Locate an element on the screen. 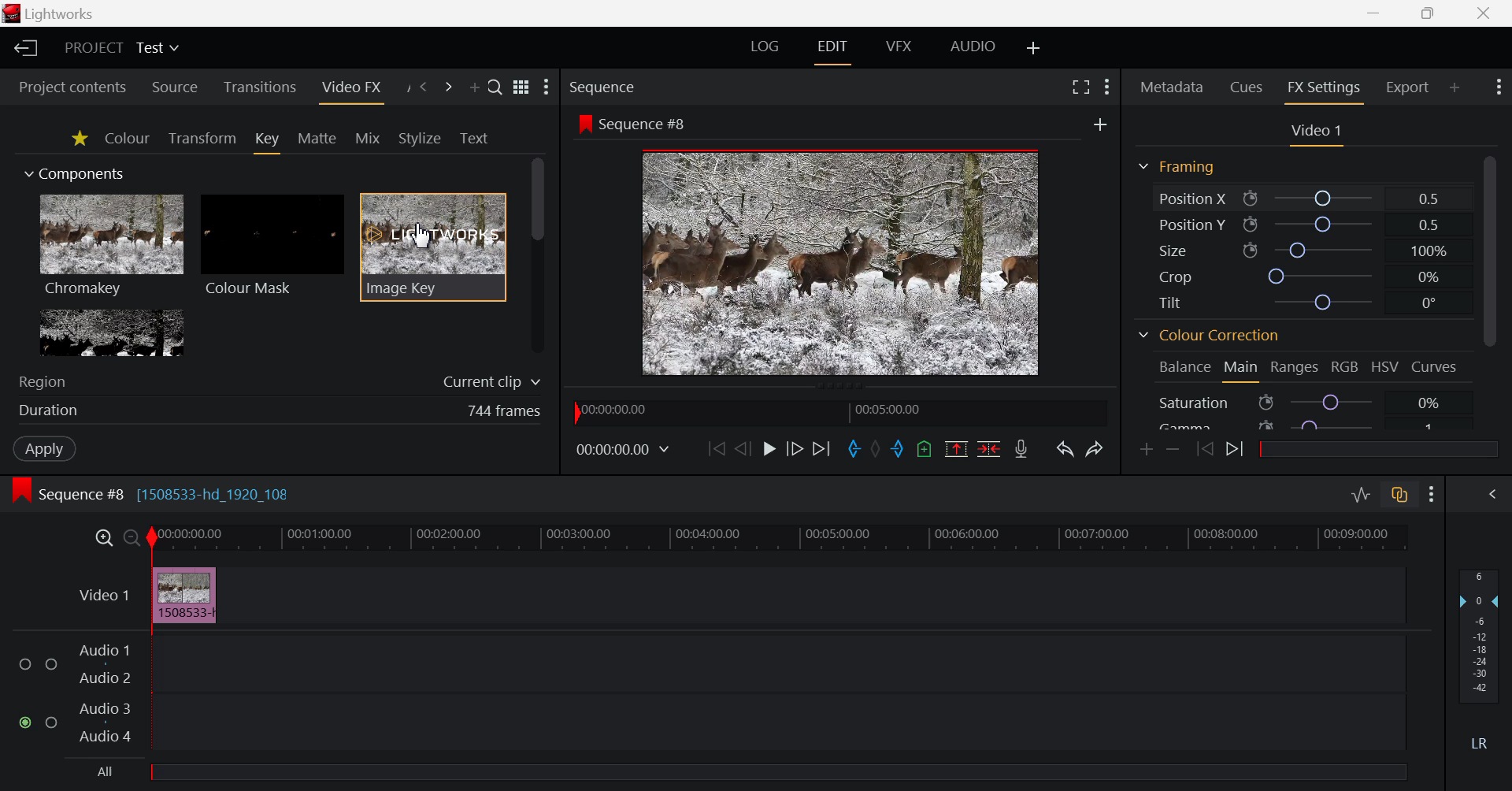  Colour is located at coordinates (128, 139).